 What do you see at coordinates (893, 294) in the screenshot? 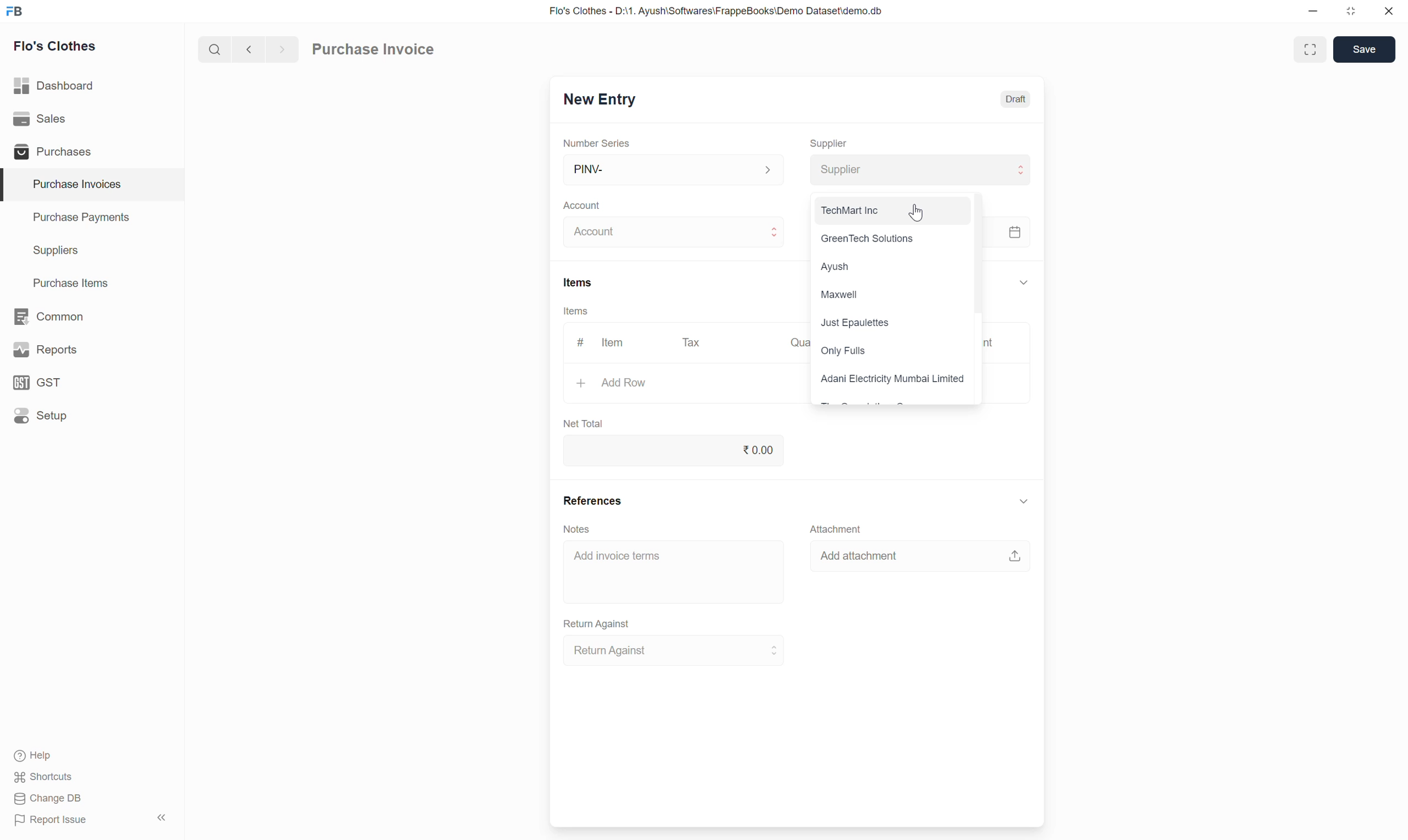
I see `Maxwell` at bounding box center [893, 294].